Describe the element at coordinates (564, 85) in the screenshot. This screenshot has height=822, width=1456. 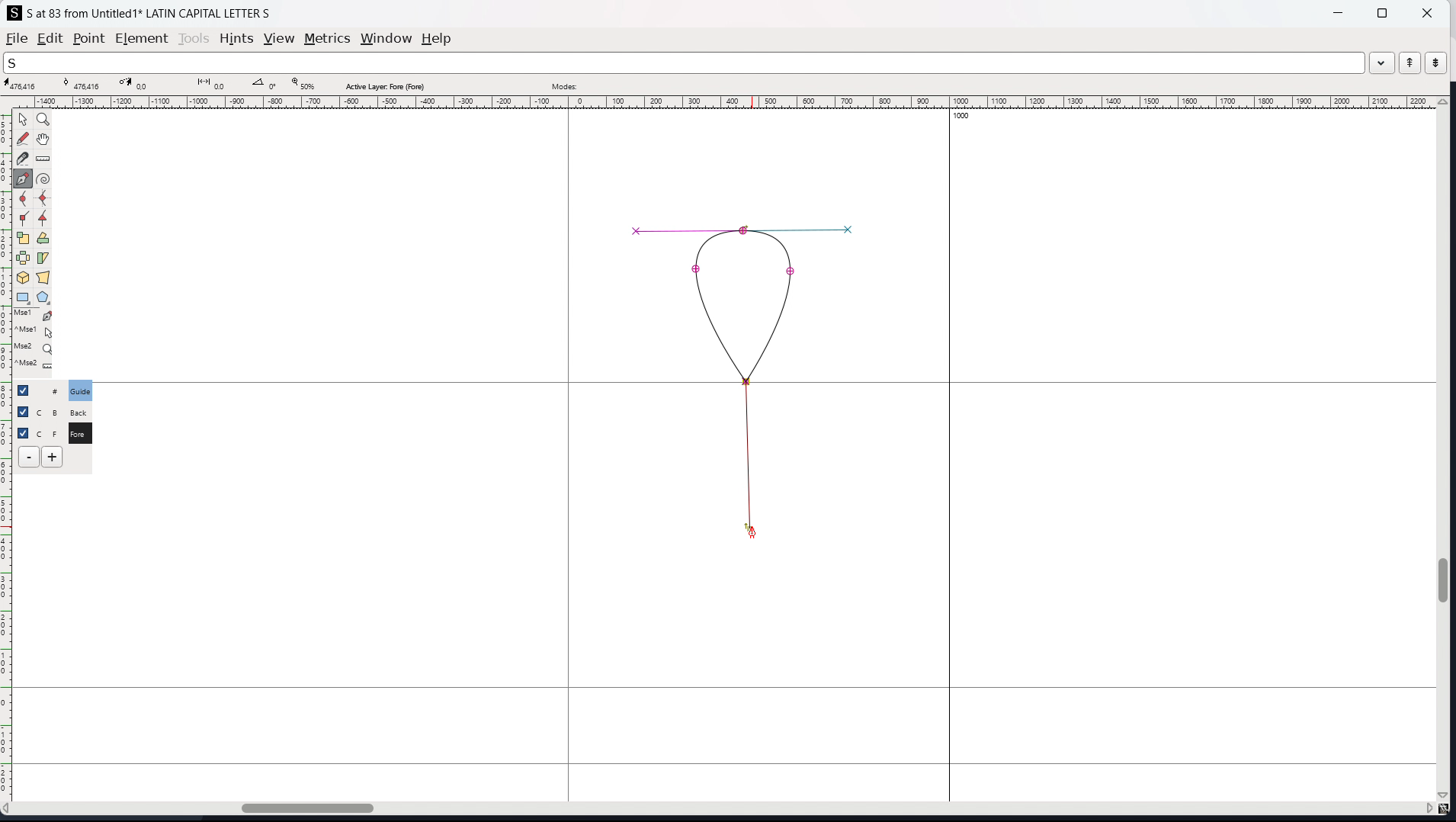
I see `modes` at that location.